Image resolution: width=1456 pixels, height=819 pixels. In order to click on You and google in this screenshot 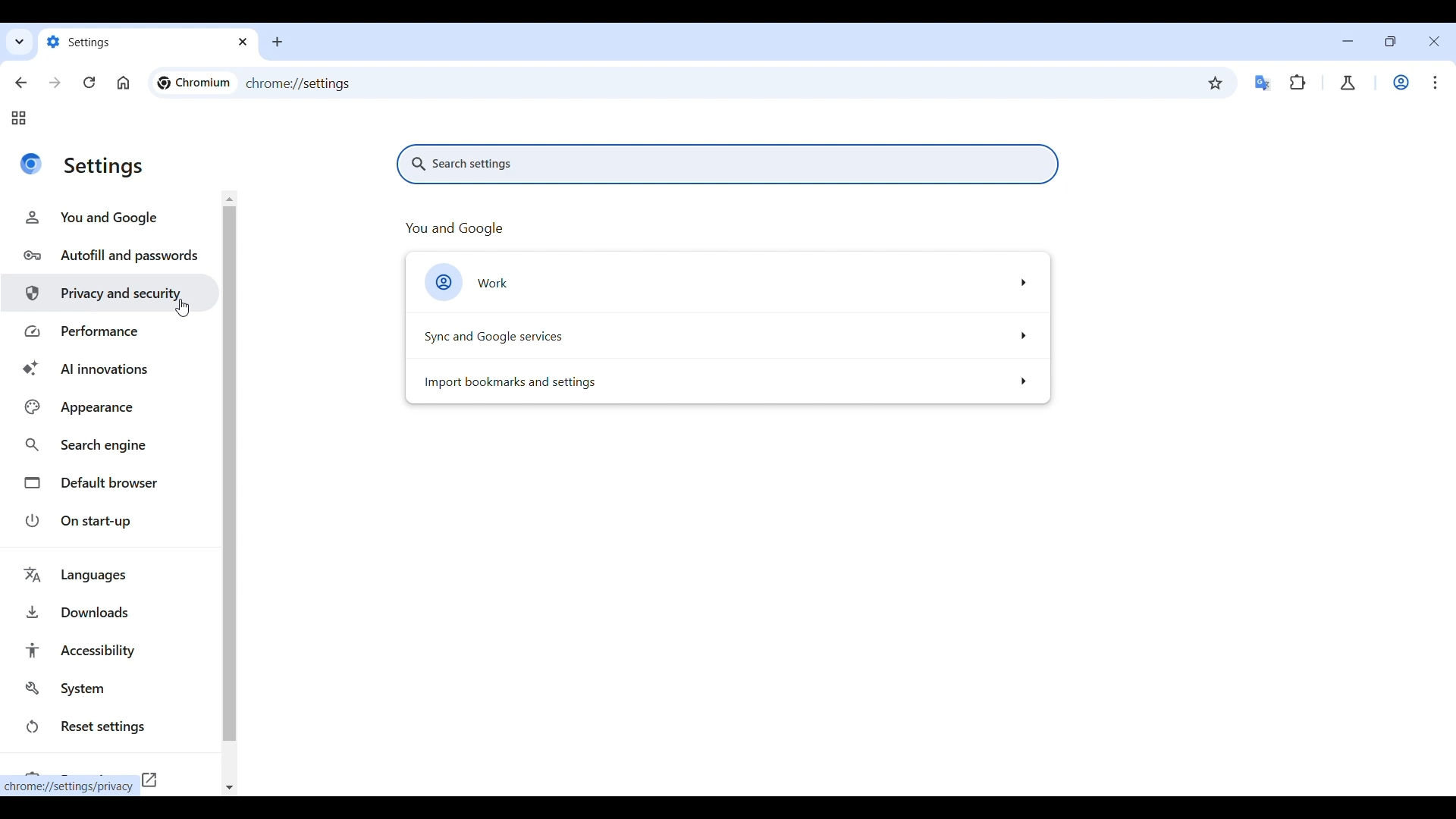, I will do `click(460, 233)`.